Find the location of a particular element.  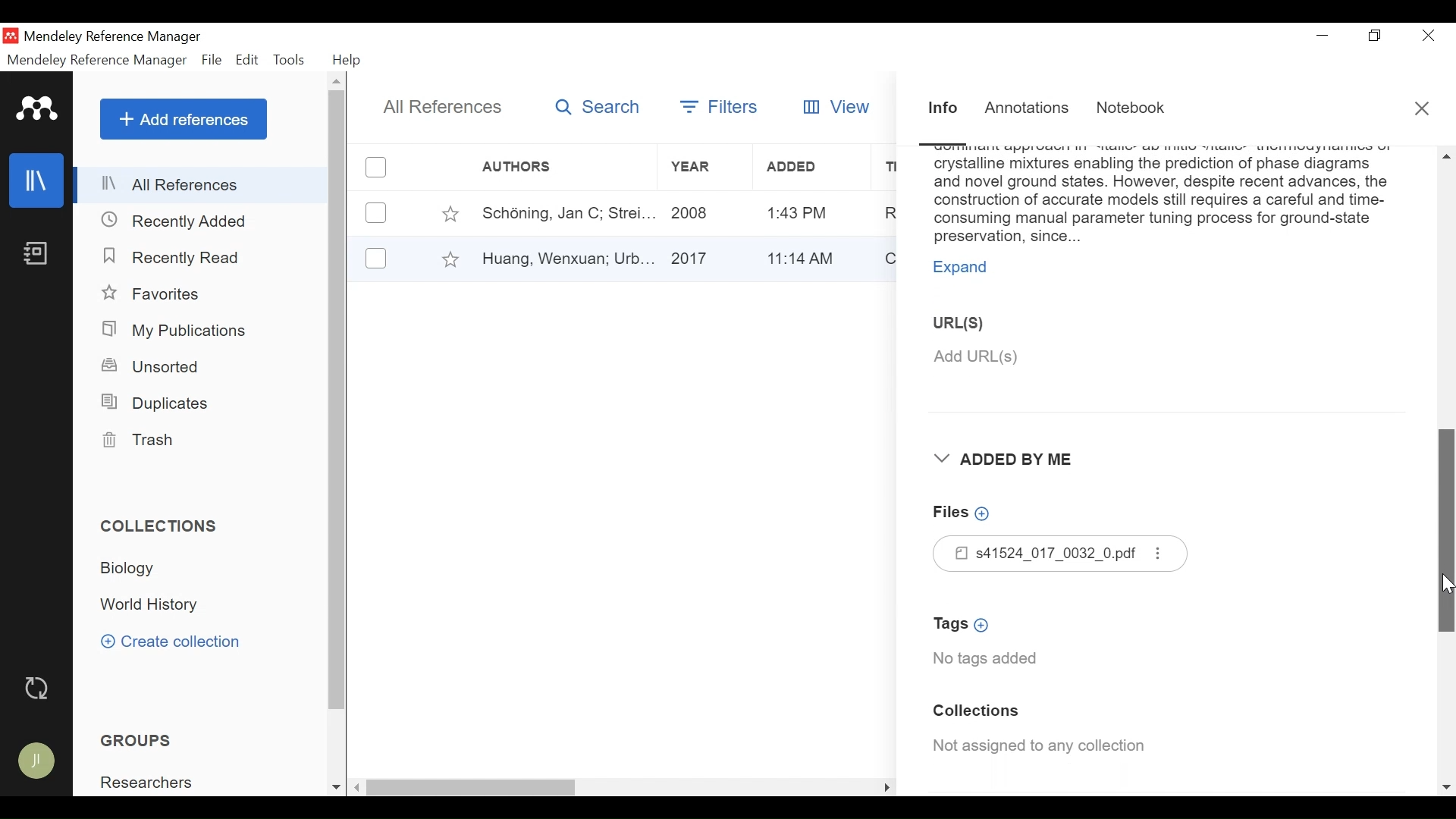

Vertical Scroll bar is located at coordinates (474, 789).